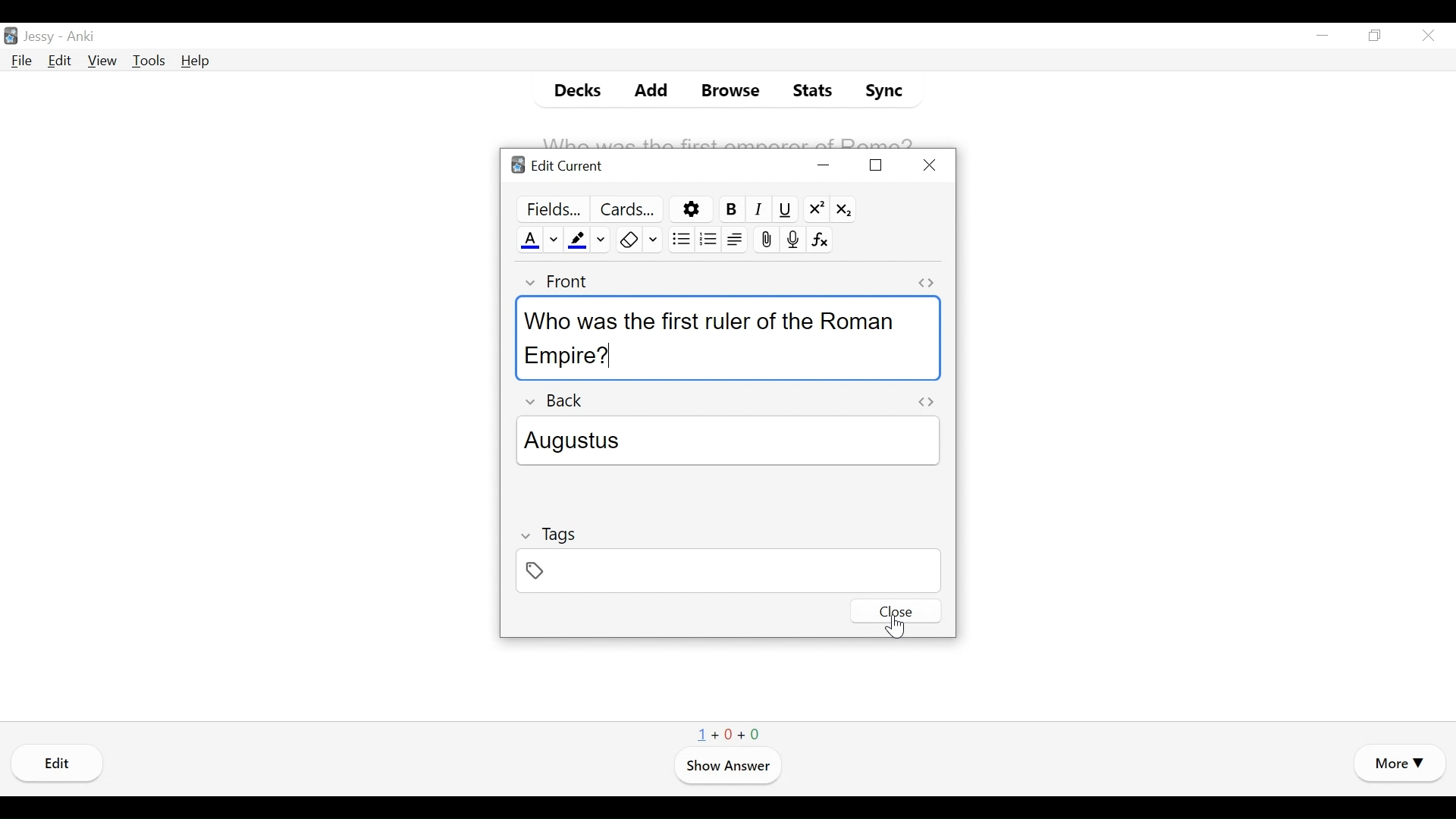  Describe the element at coordinates (811, 91) in the screenshot. I see `Stats` at that location.